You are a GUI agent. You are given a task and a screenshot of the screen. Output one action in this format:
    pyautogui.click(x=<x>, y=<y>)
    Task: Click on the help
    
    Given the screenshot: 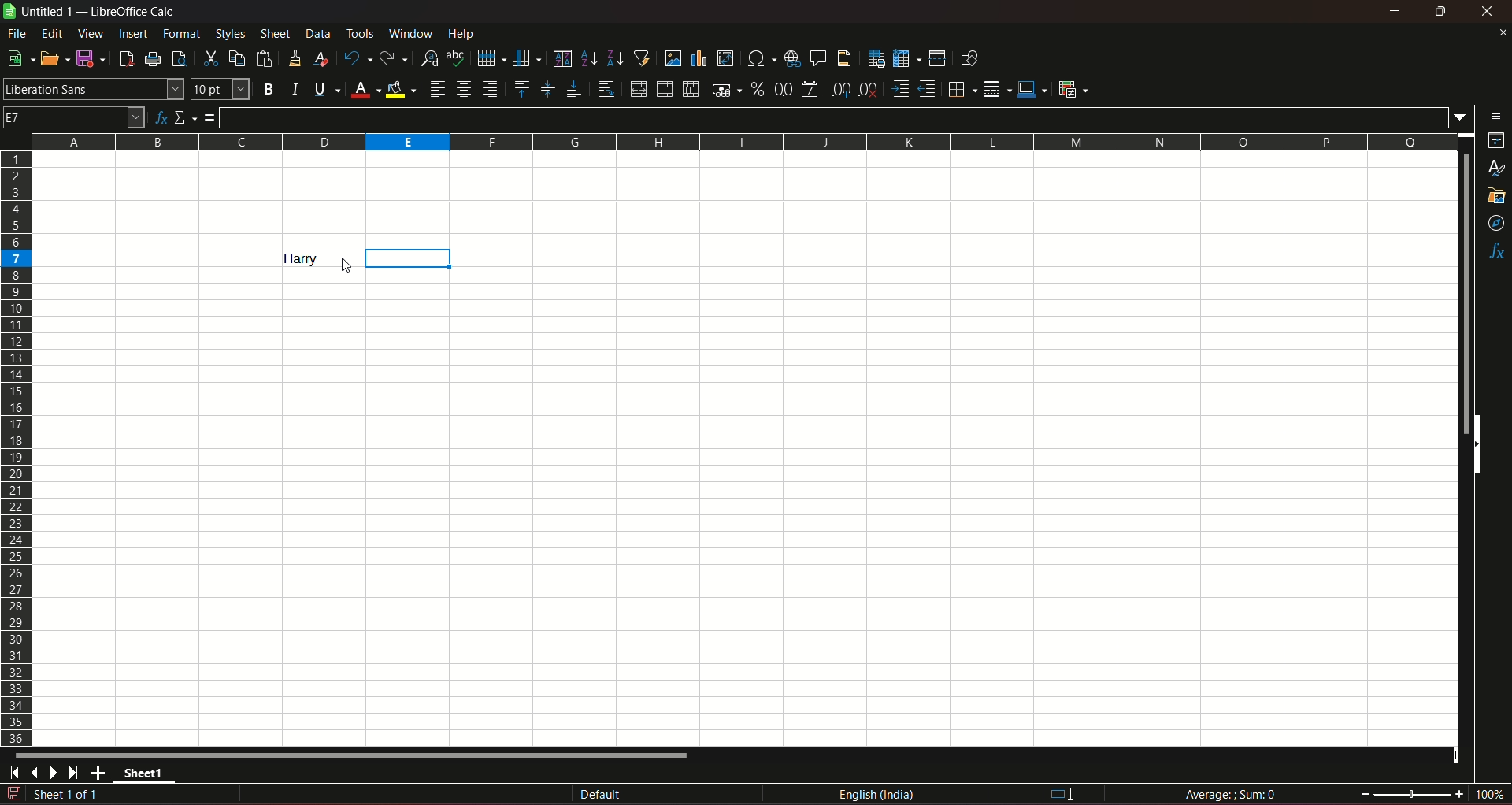 What is the action you would take?
    pyautogui.click(x=465, y=33)
    